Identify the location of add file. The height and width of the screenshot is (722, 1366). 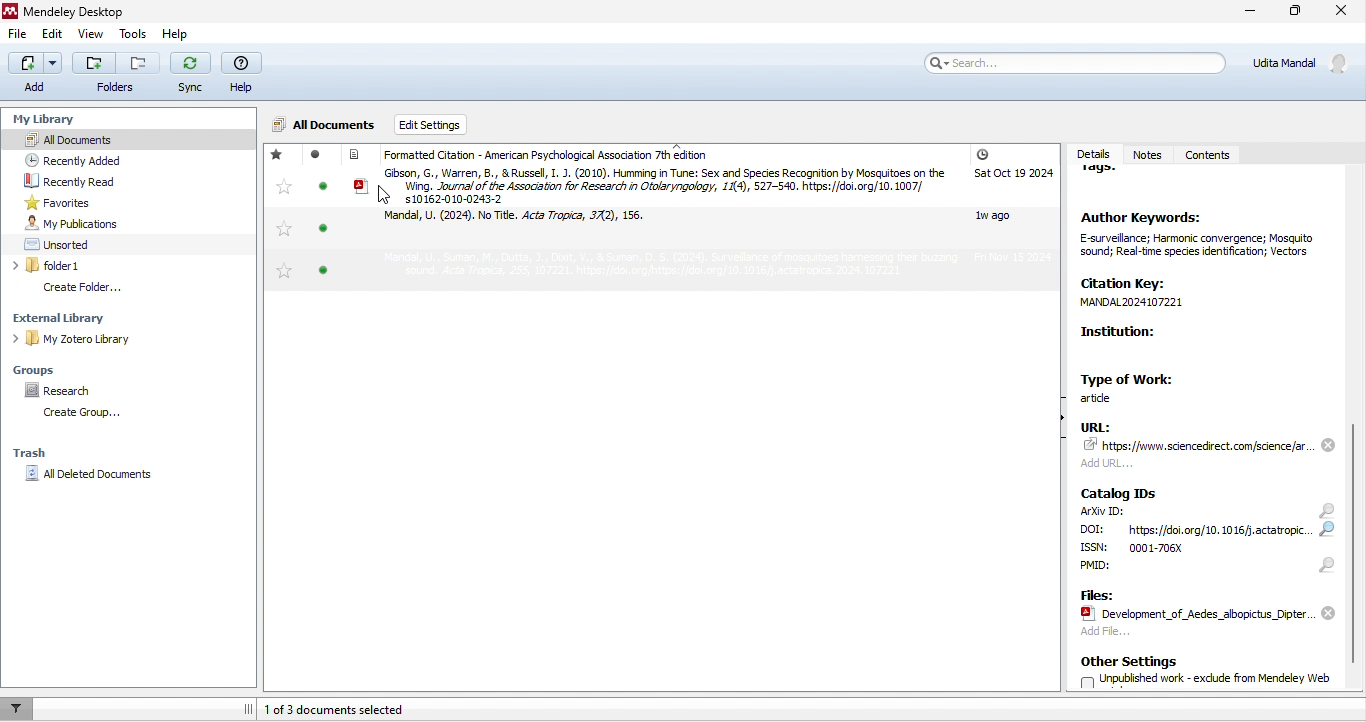
(1156, 635).